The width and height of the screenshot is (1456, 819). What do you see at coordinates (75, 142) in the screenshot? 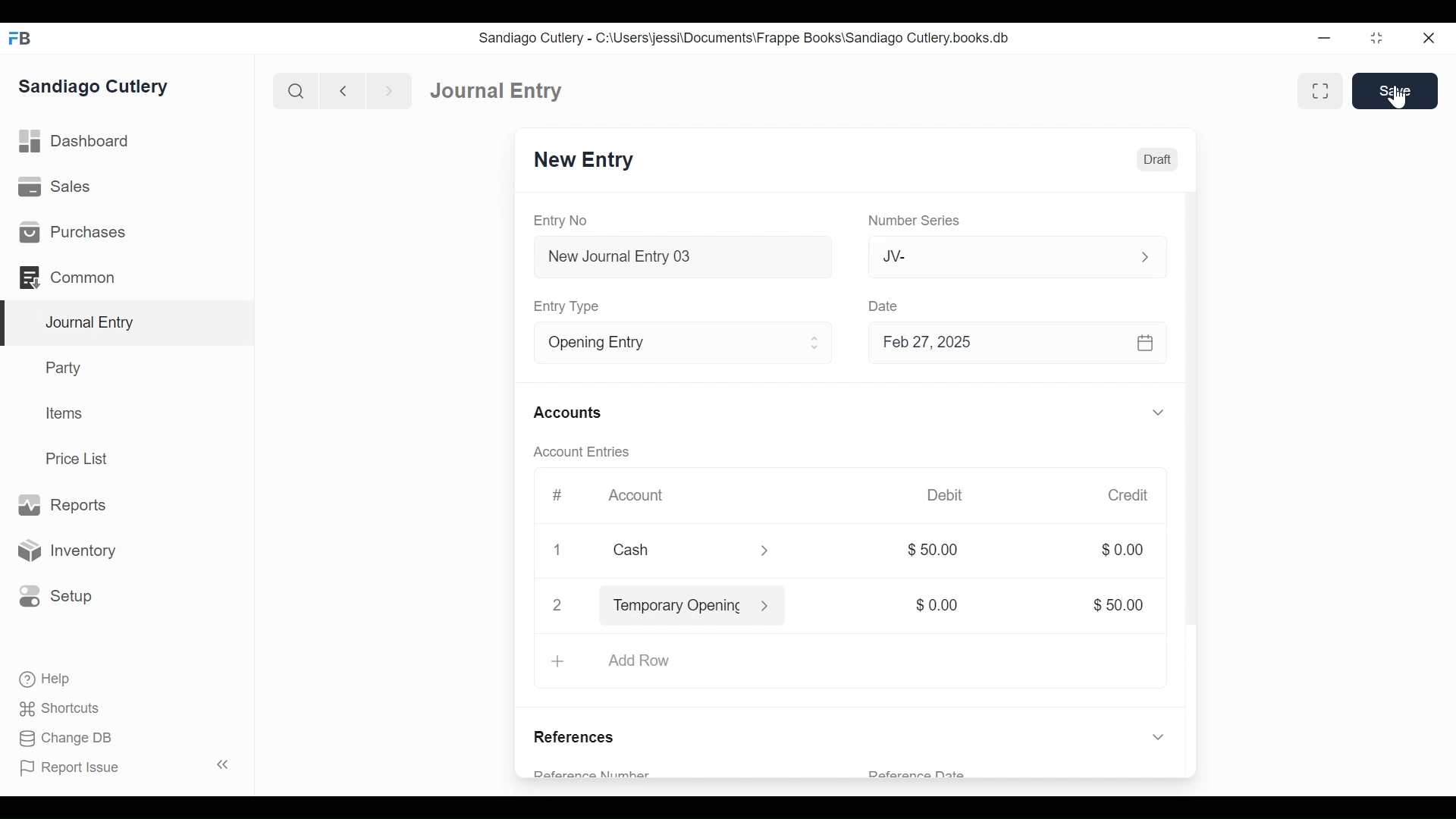
I see `Dashboard` at bounding box center [75, 142].